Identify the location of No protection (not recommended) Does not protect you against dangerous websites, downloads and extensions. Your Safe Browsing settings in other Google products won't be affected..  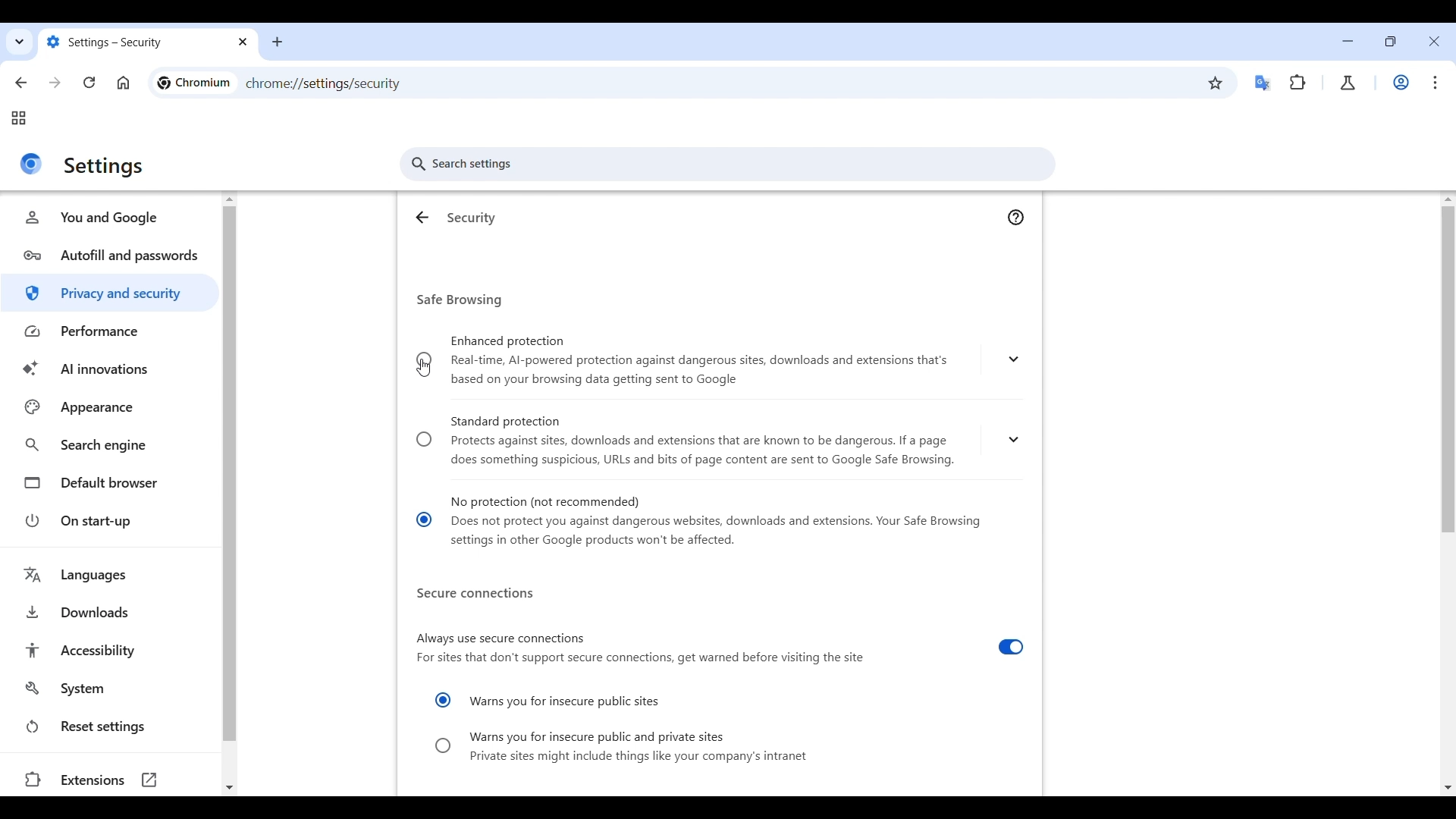
(698, 530).